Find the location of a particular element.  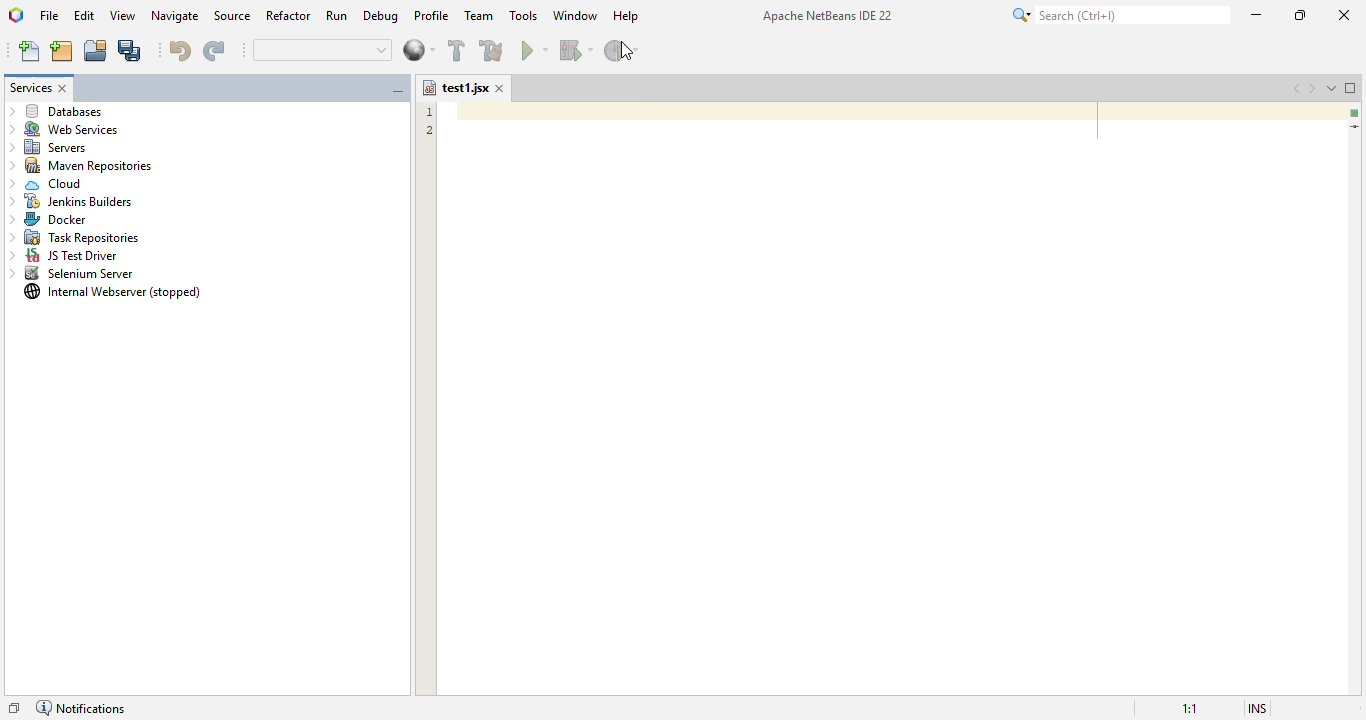

docker is located at coordinates (44, 220).